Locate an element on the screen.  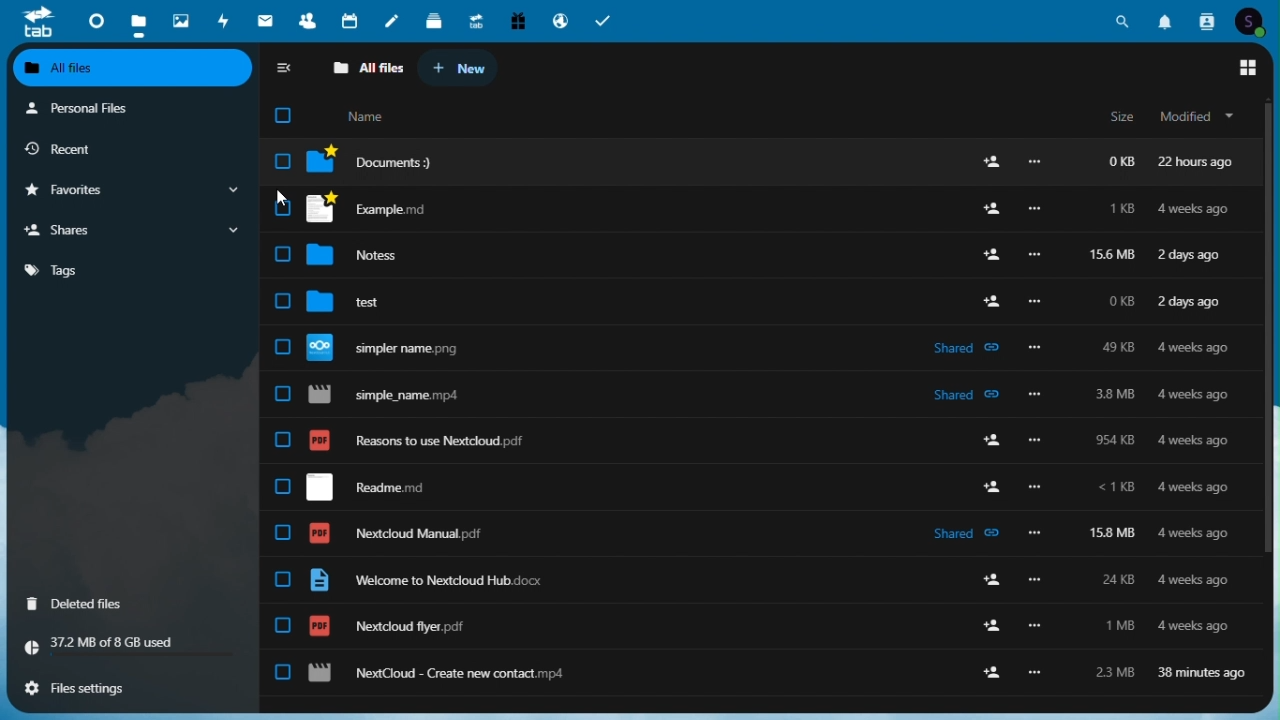
more options is located at coordinates (1036, 439).